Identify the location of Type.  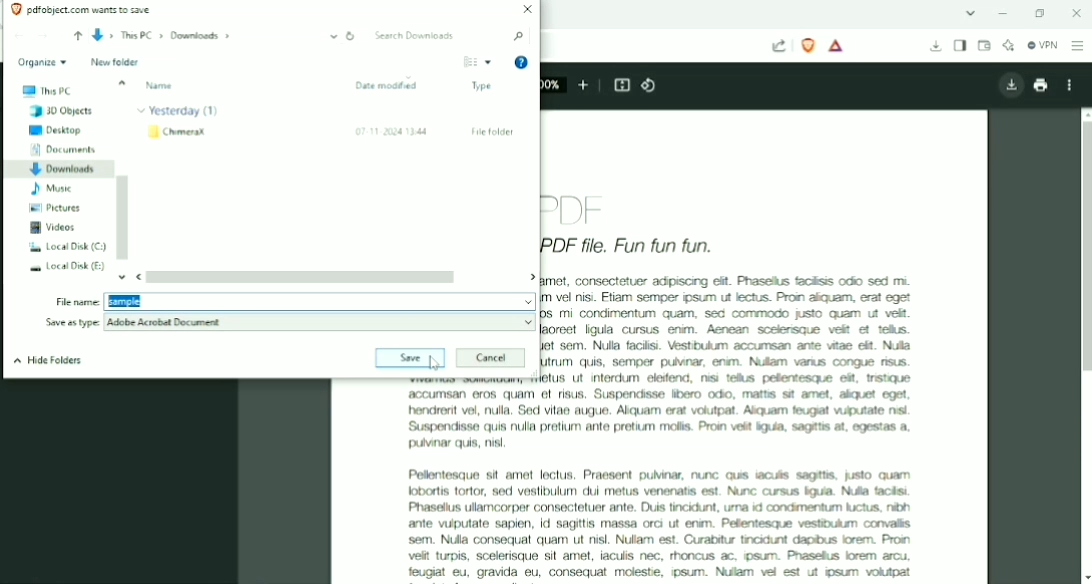
(484, 86).